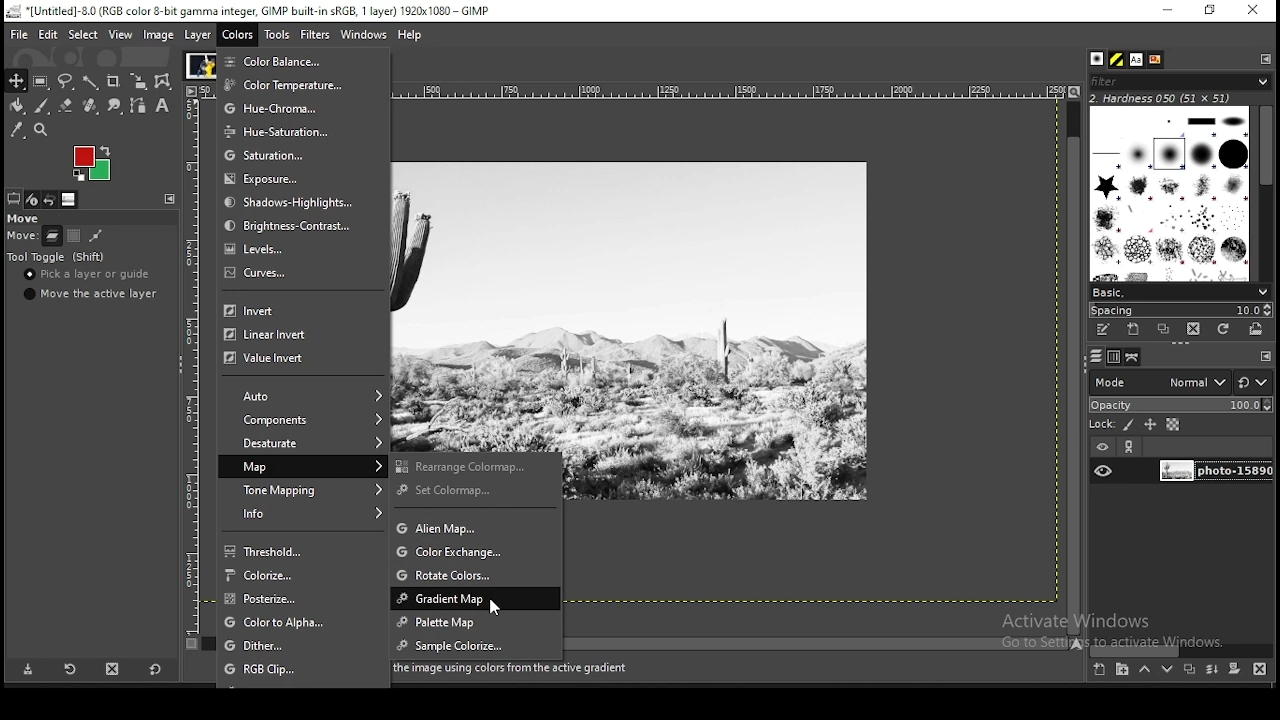 This screenshot has height=720, width=1280. I want to click on components, so click(305, 421).